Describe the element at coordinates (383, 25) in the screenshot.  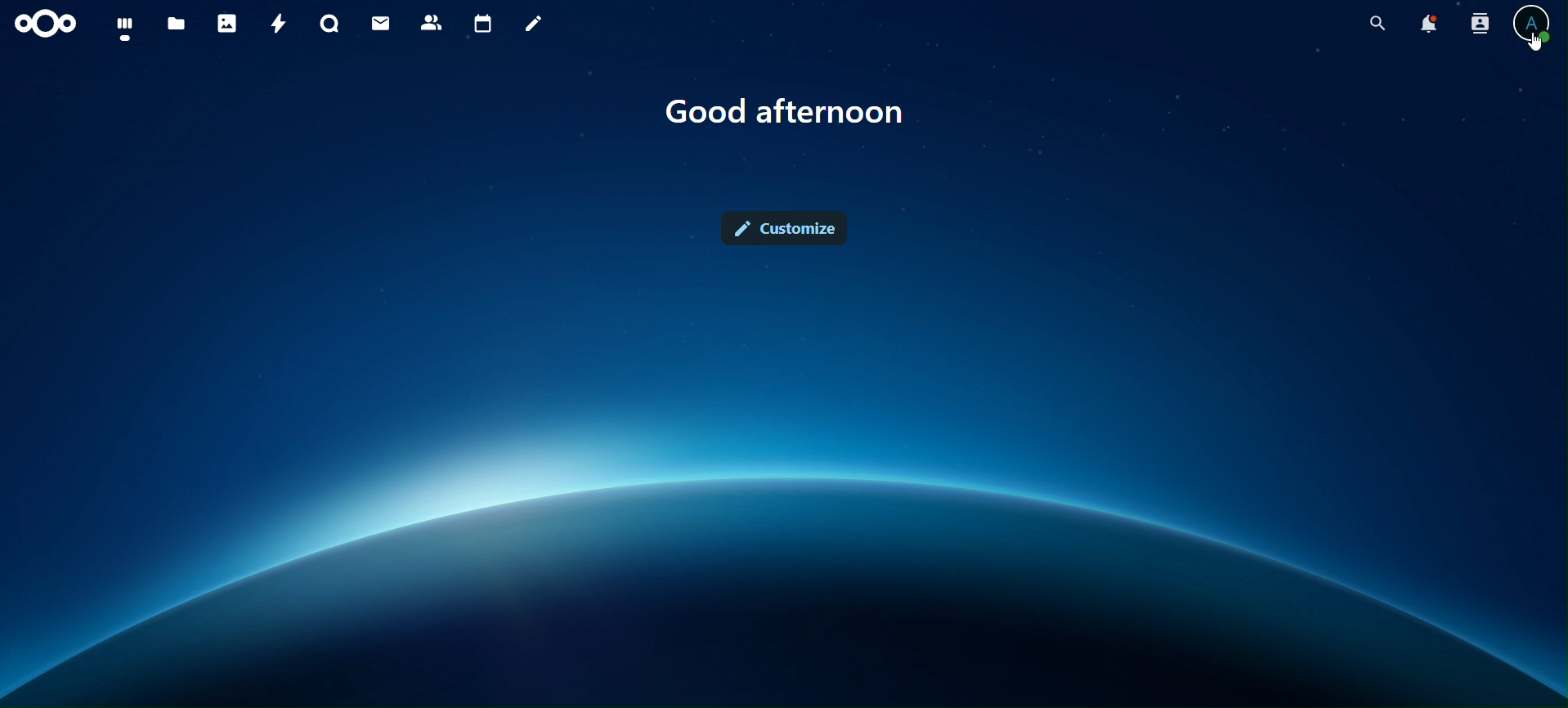
I see `mail` at that location.